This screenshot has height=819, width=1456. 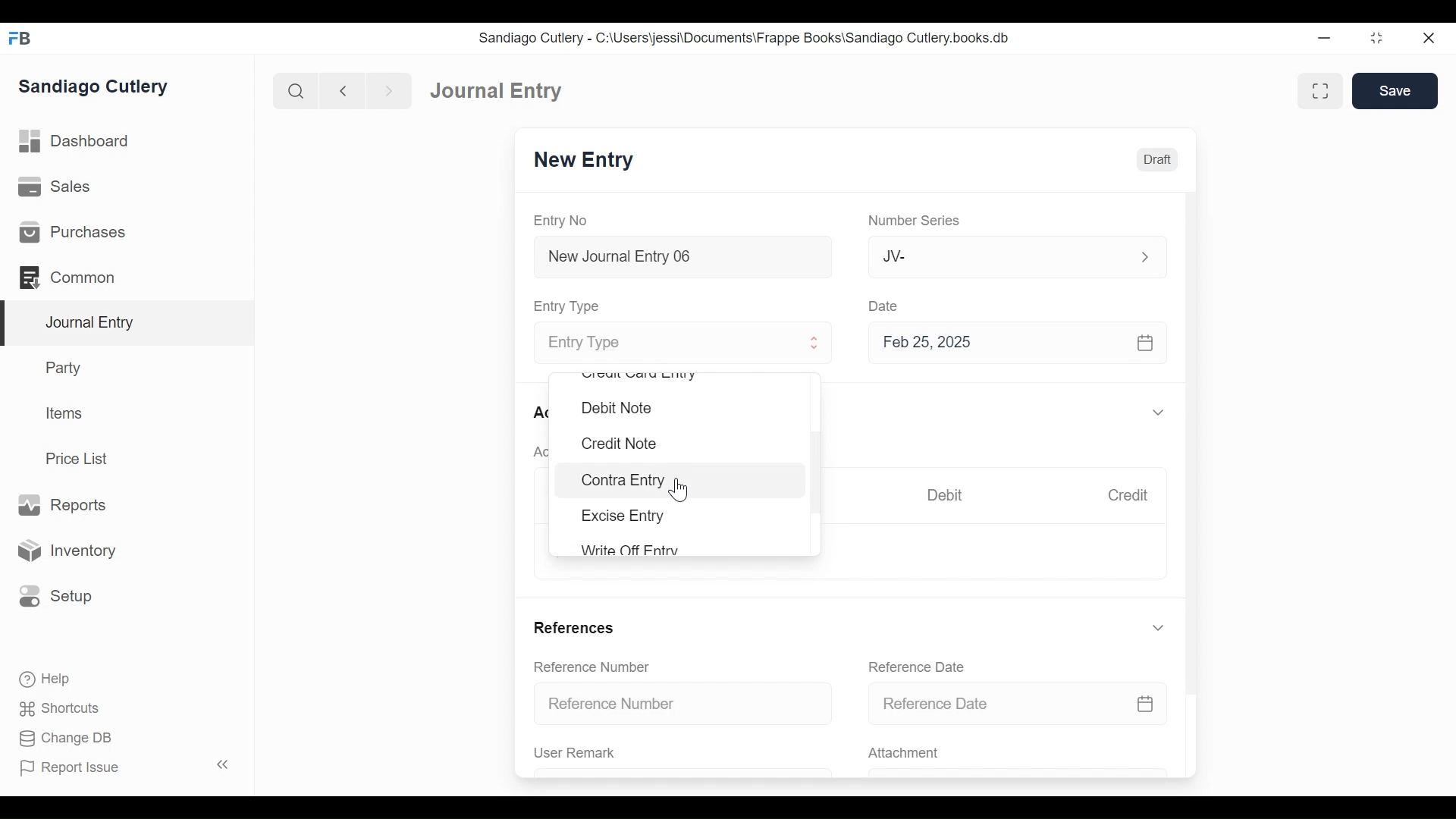 What do you see at coordinates (670, 344) in the screenshot?
I see `Entry Type` at bounding box center [670, 344].